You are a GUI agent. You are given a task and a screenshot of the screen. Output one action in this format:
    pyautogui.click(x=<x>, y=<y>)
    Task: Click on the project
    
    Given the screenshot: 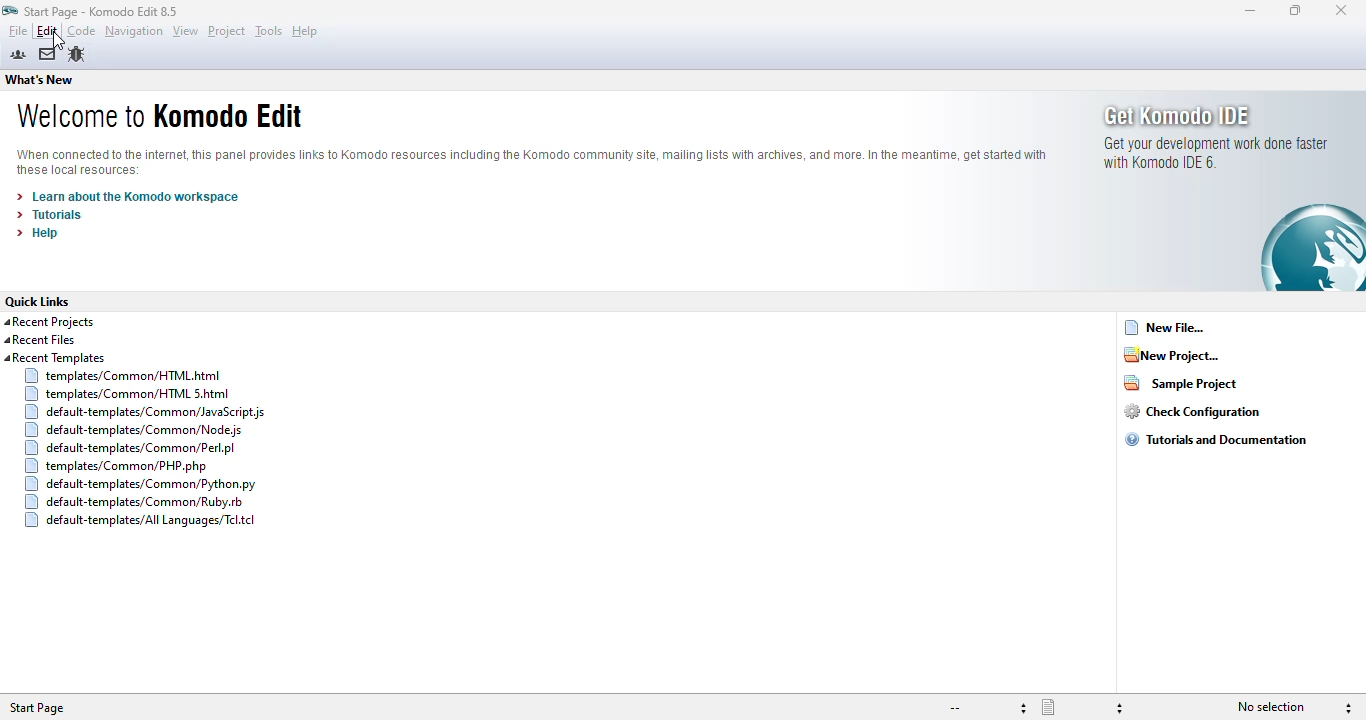 What is the action you would take?
    pyautogui.click(x=227, y=31)
    